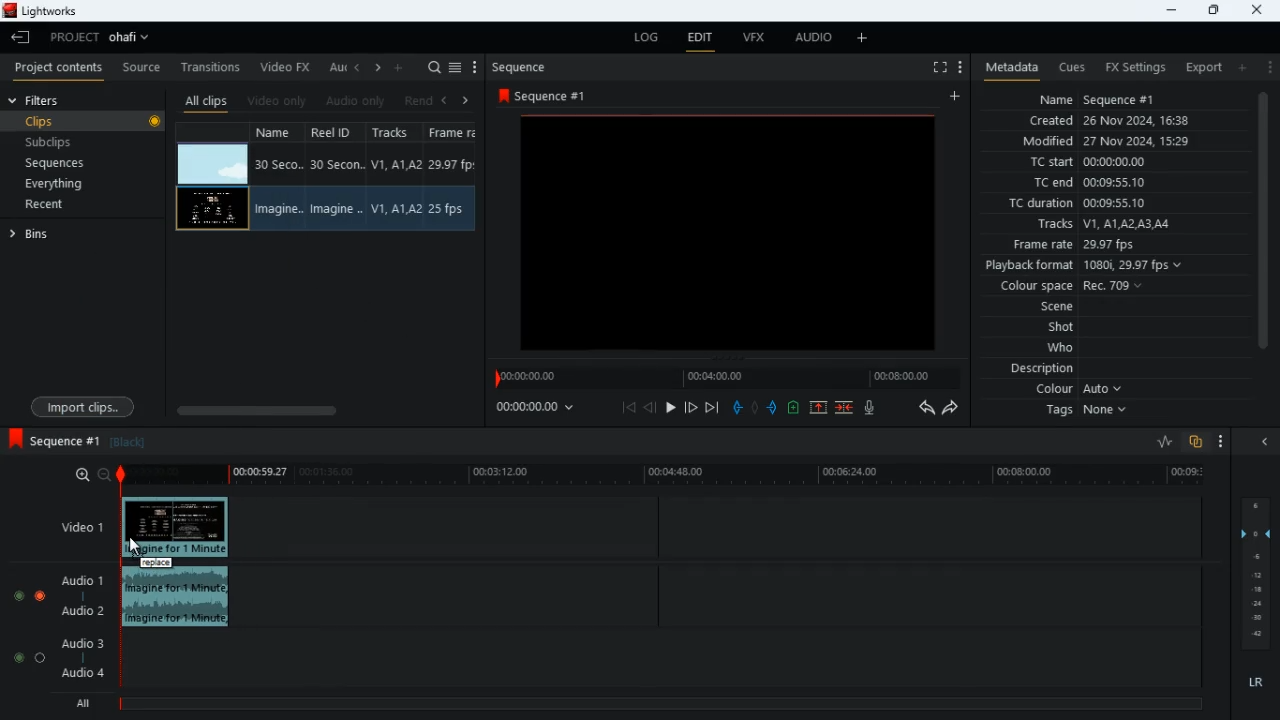  What do you see at coordinates (525, 67) in the screenshot?
I see `sequence` at bounding box center [525, 67].